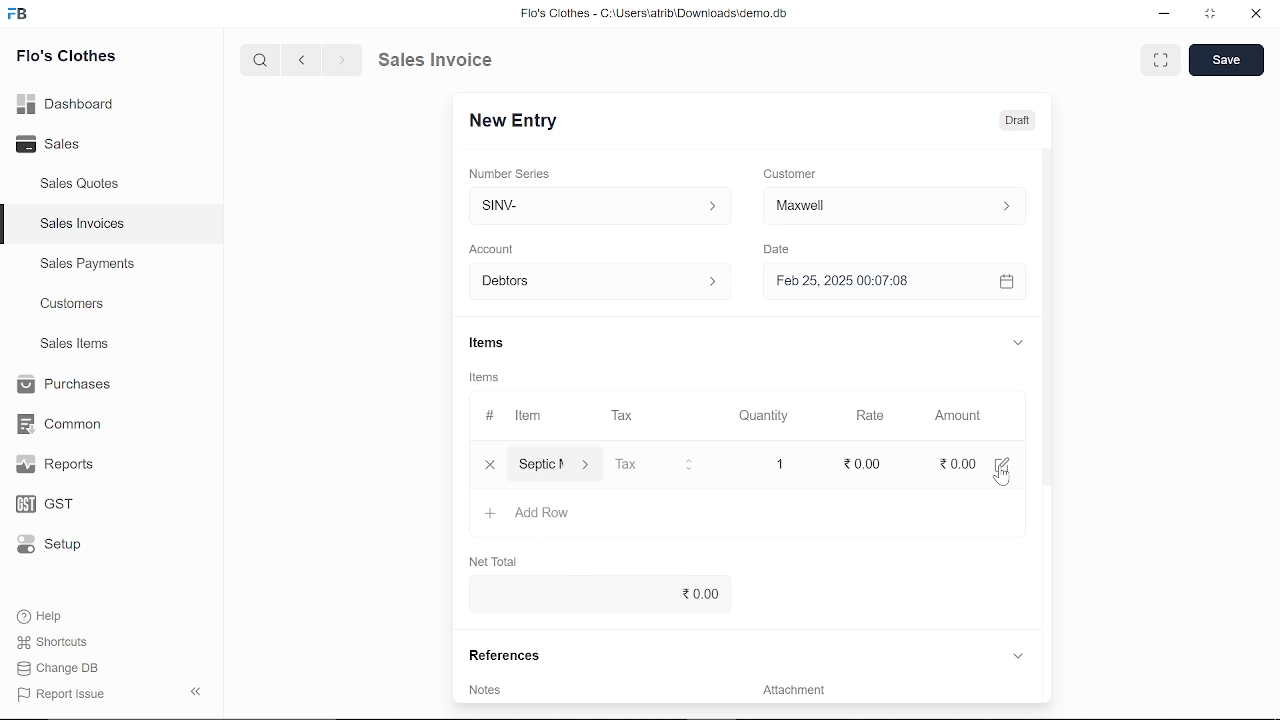  I want to click on expand, so click(1157, 61).